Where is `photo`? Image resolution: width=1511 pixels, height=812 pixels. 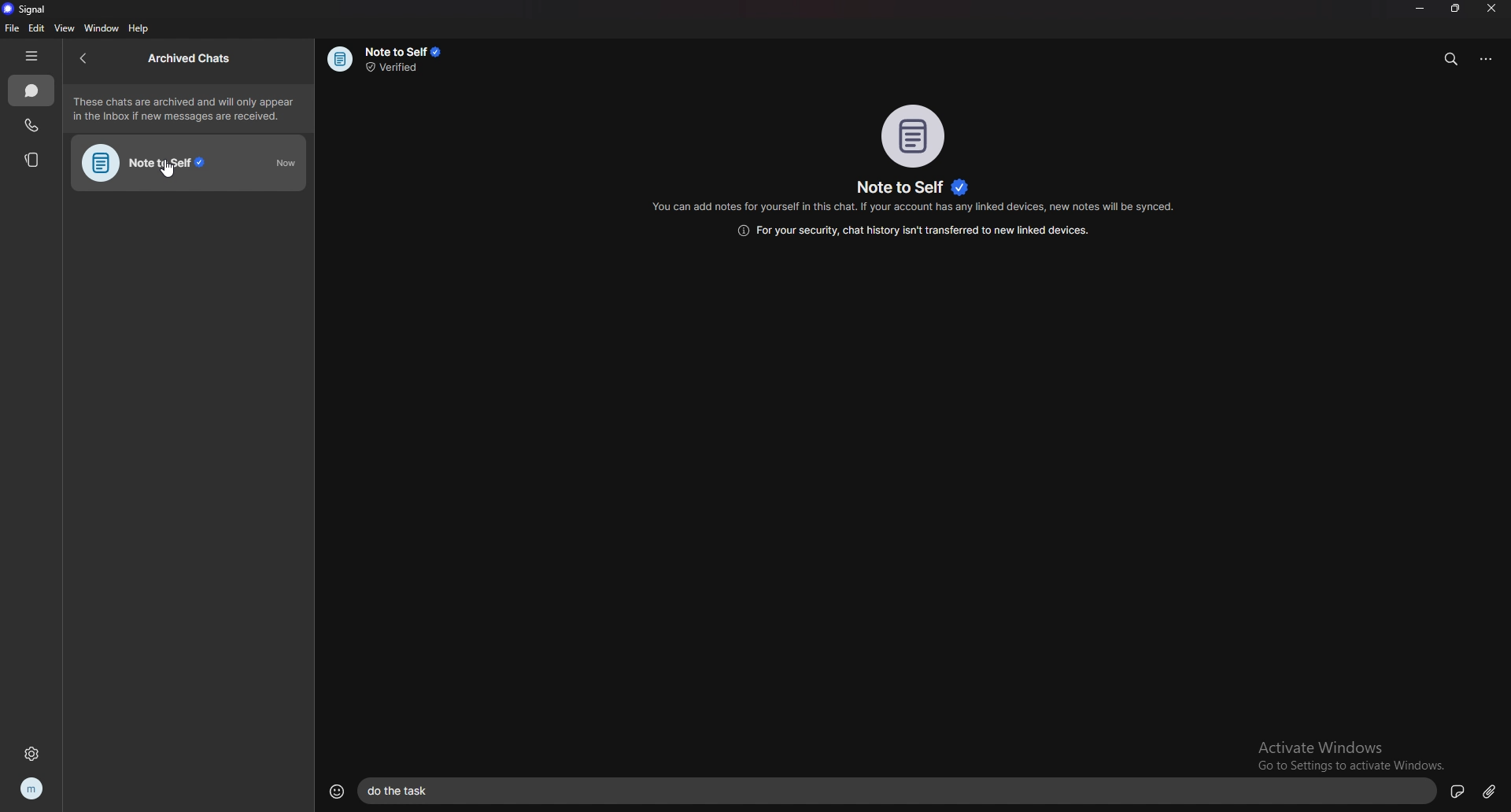 photo is located at coordinates (913, 136).